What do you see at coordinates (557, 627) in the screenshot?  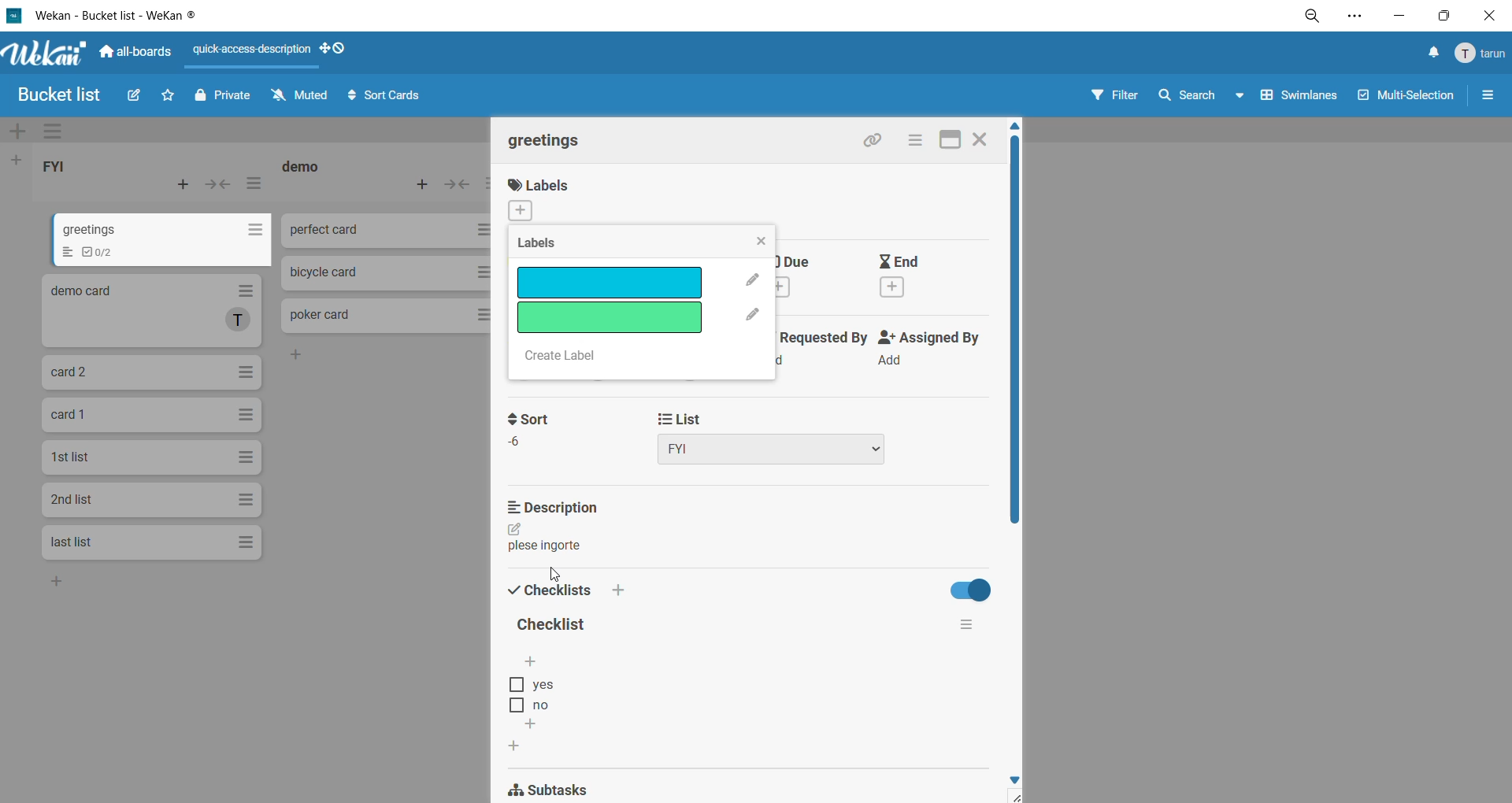 I see `checklist title` at bounding box center [557, 627].